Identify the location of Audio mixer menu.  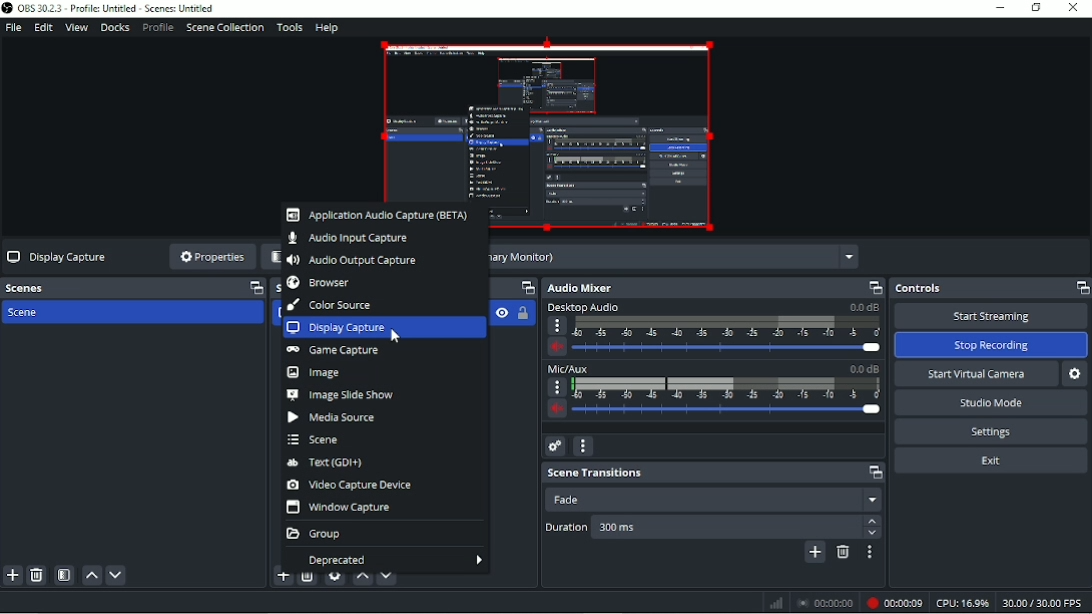
(582, 446).